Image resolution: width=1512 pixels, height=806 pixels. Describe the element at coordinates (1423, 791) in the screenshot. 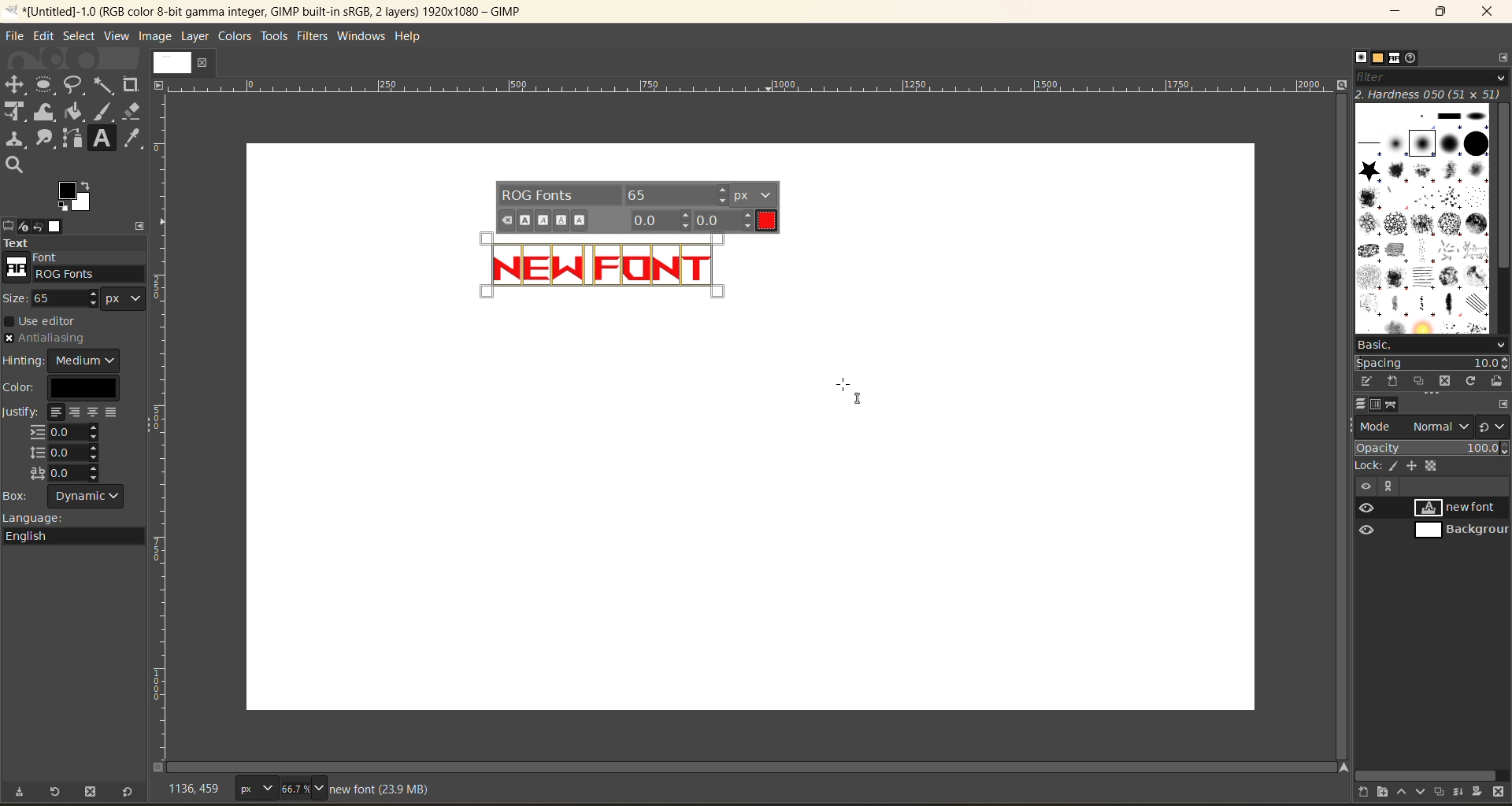

I see `lower this layer` at that location.